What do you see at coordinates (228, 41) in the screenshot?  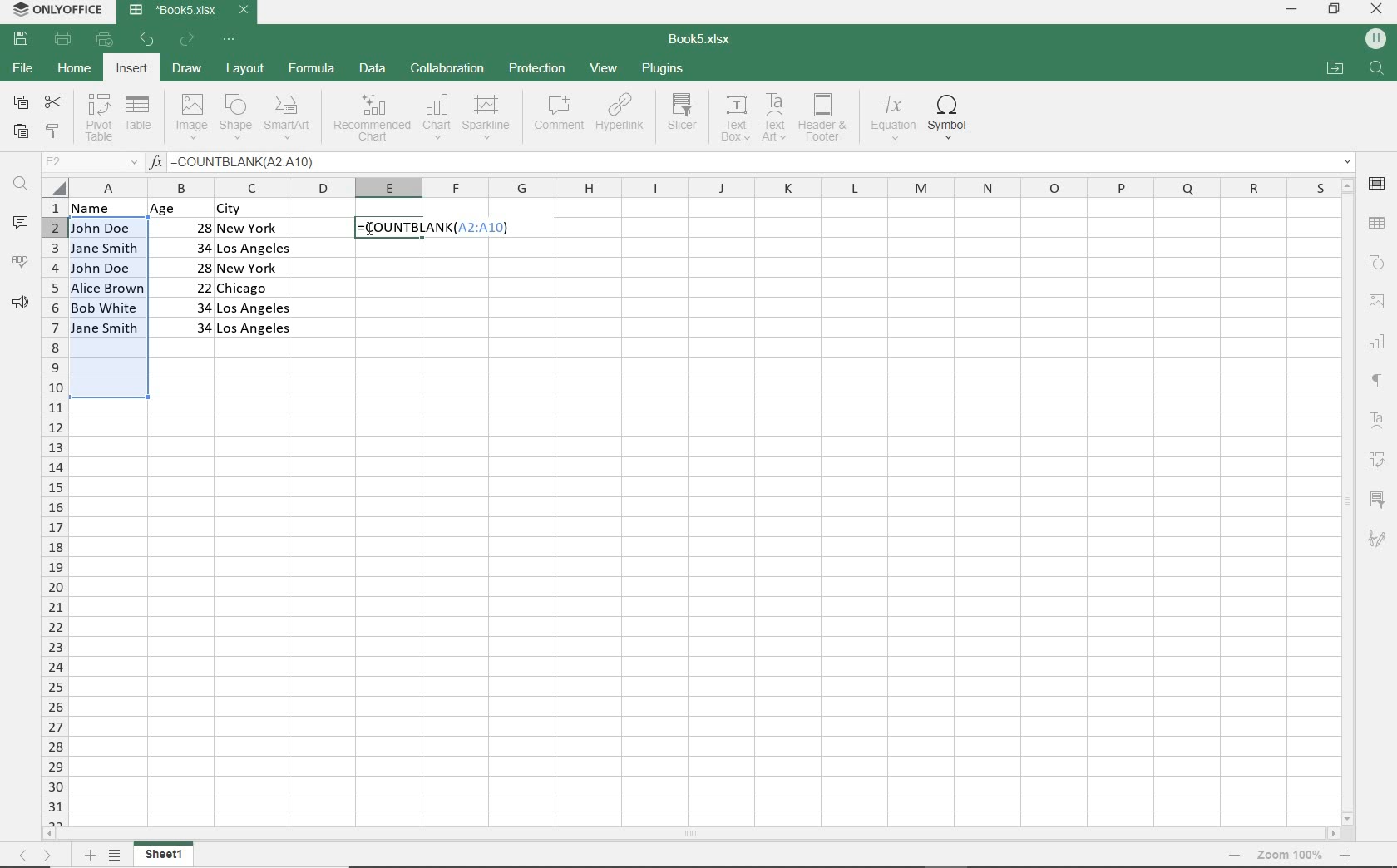 I see `CUSTOMIZE QUICK ACCESS TOOLBAR` at bounding box center [228, 41].